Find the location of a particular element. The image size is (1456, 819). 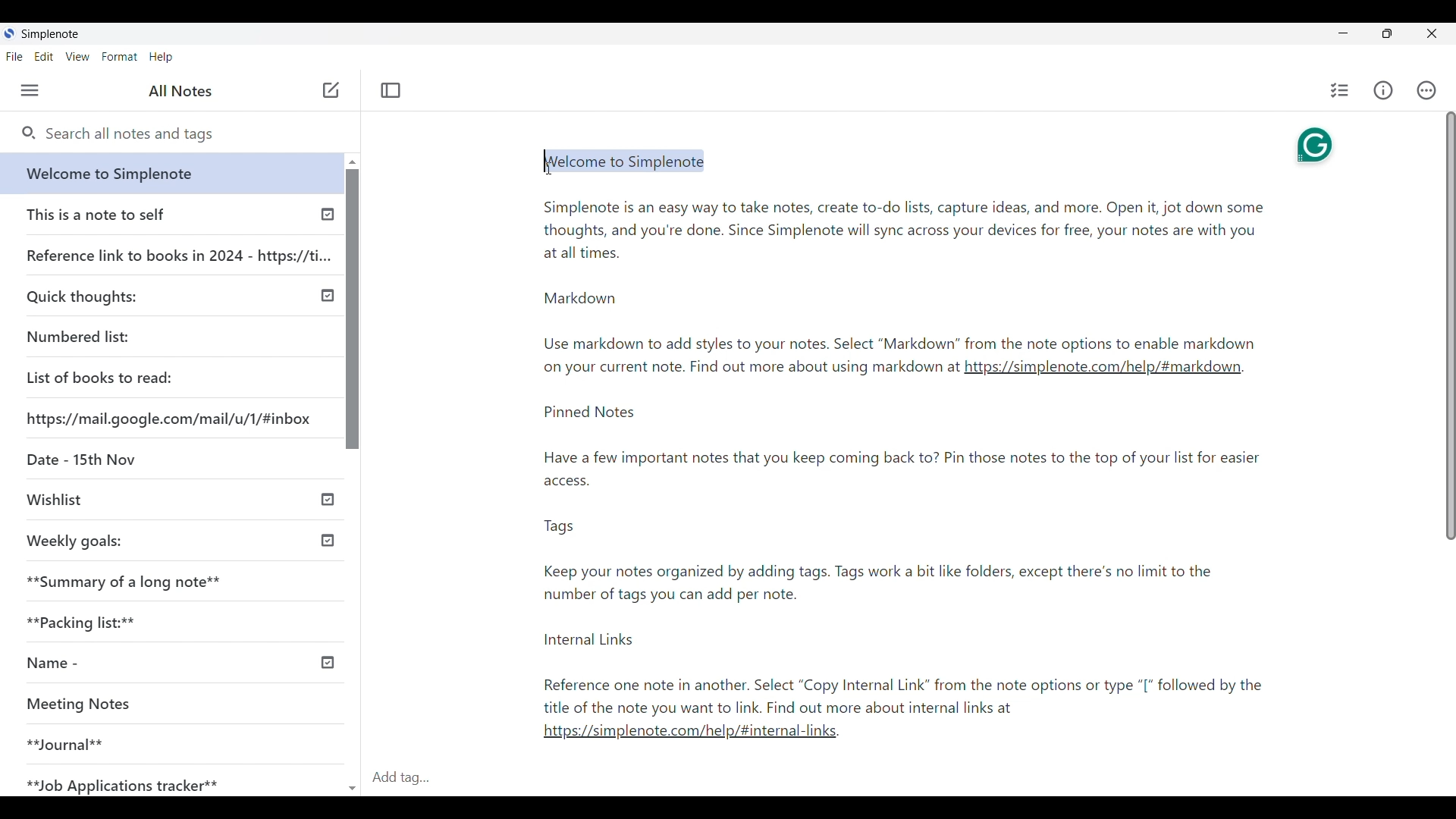

Search notes and tags is located at coordinates (190, 135).